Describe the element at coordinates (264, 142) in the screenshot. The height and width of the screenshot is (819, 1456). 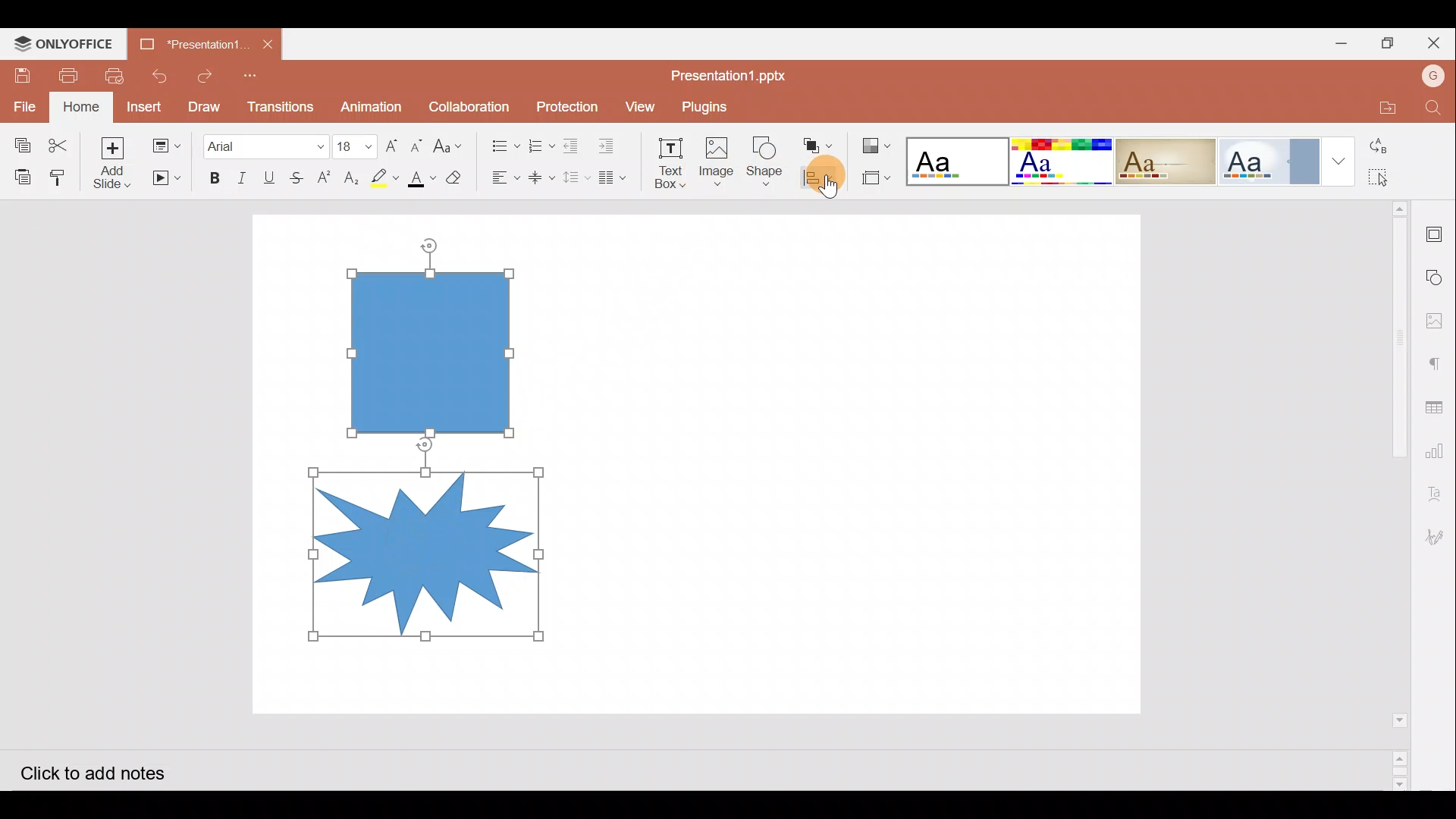
I see `Font name` at that location.